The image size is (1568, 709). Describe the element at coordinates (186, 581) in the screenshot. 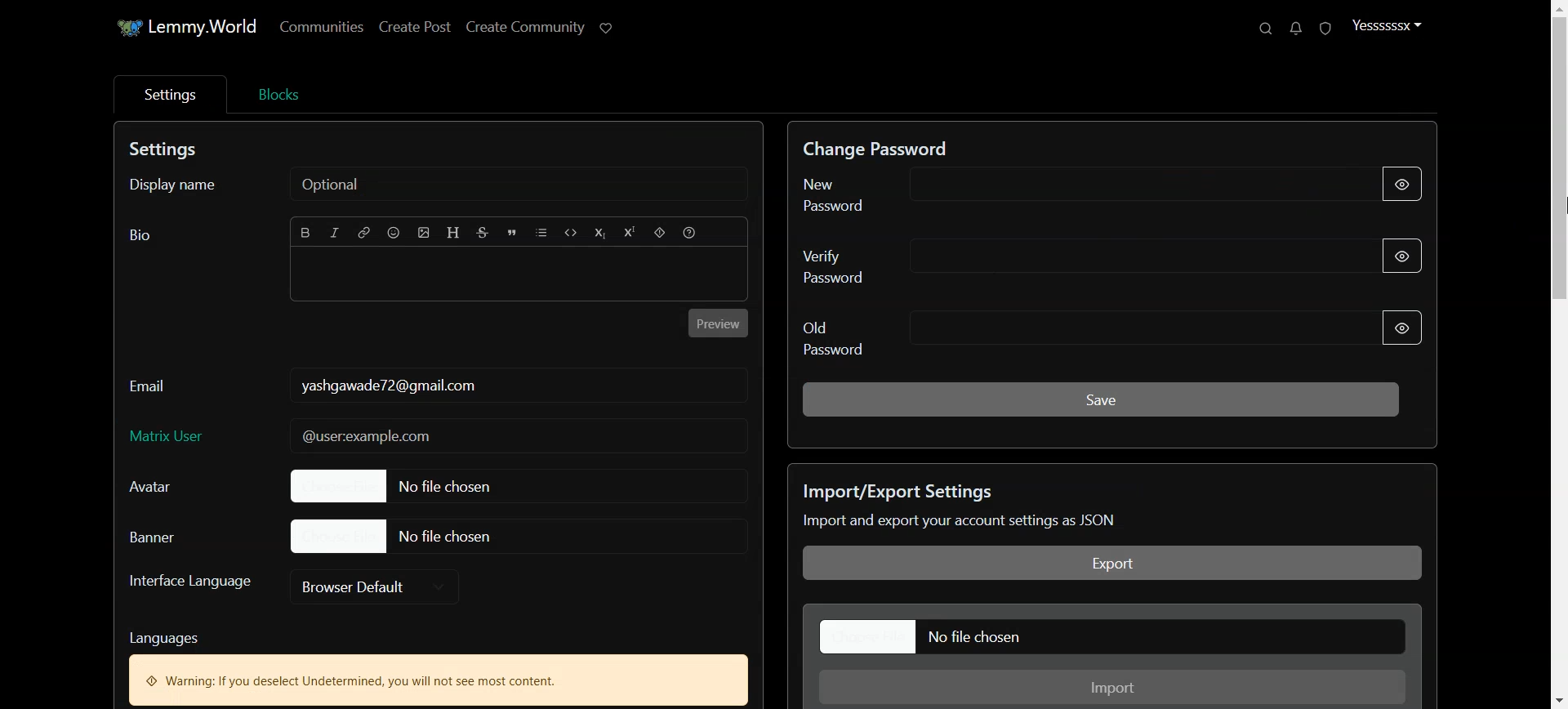

I see `Interface Language` at that location.